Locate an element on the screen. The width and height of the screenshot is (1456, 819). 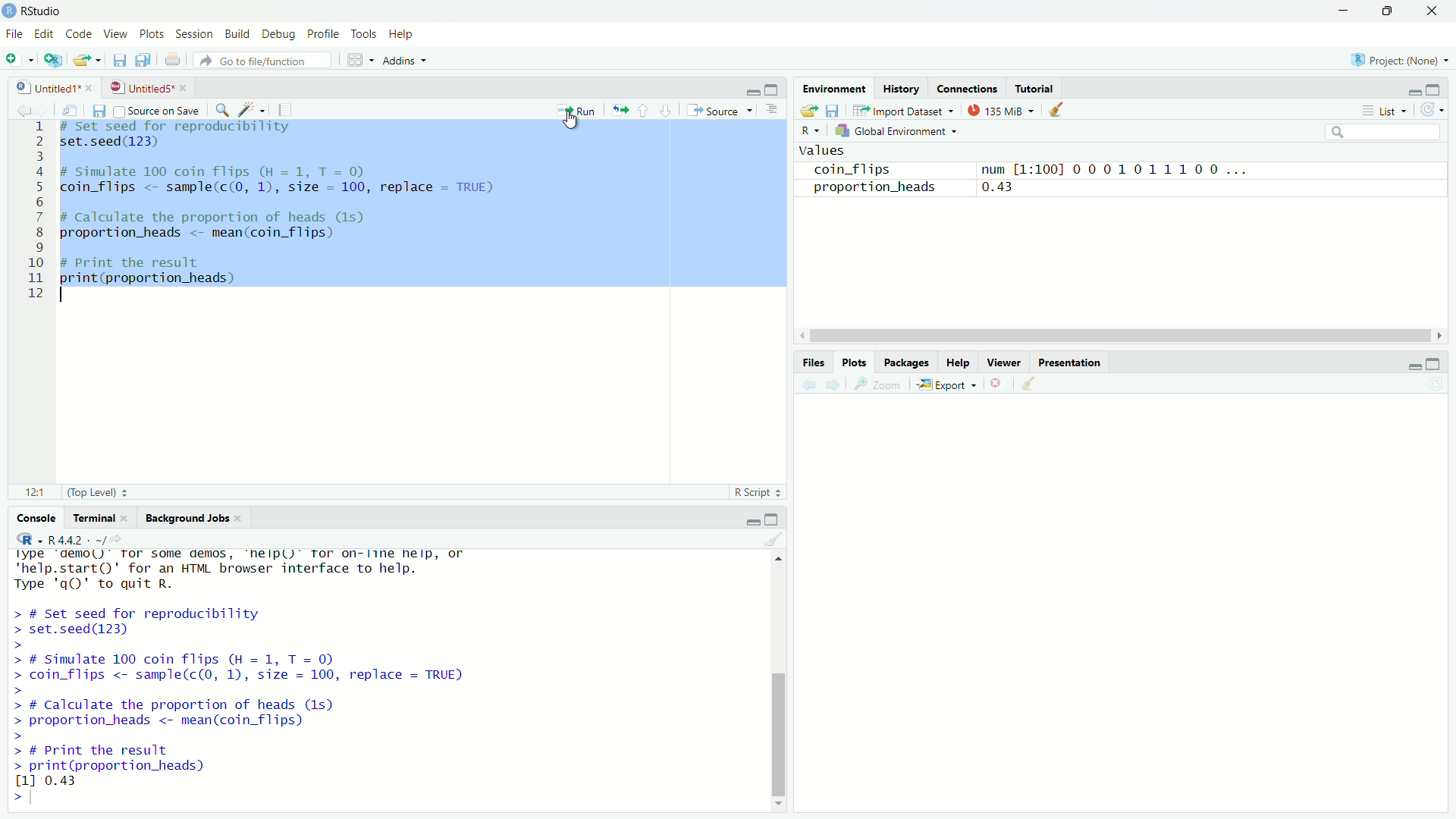
select language is located at coordinates (812, 132).